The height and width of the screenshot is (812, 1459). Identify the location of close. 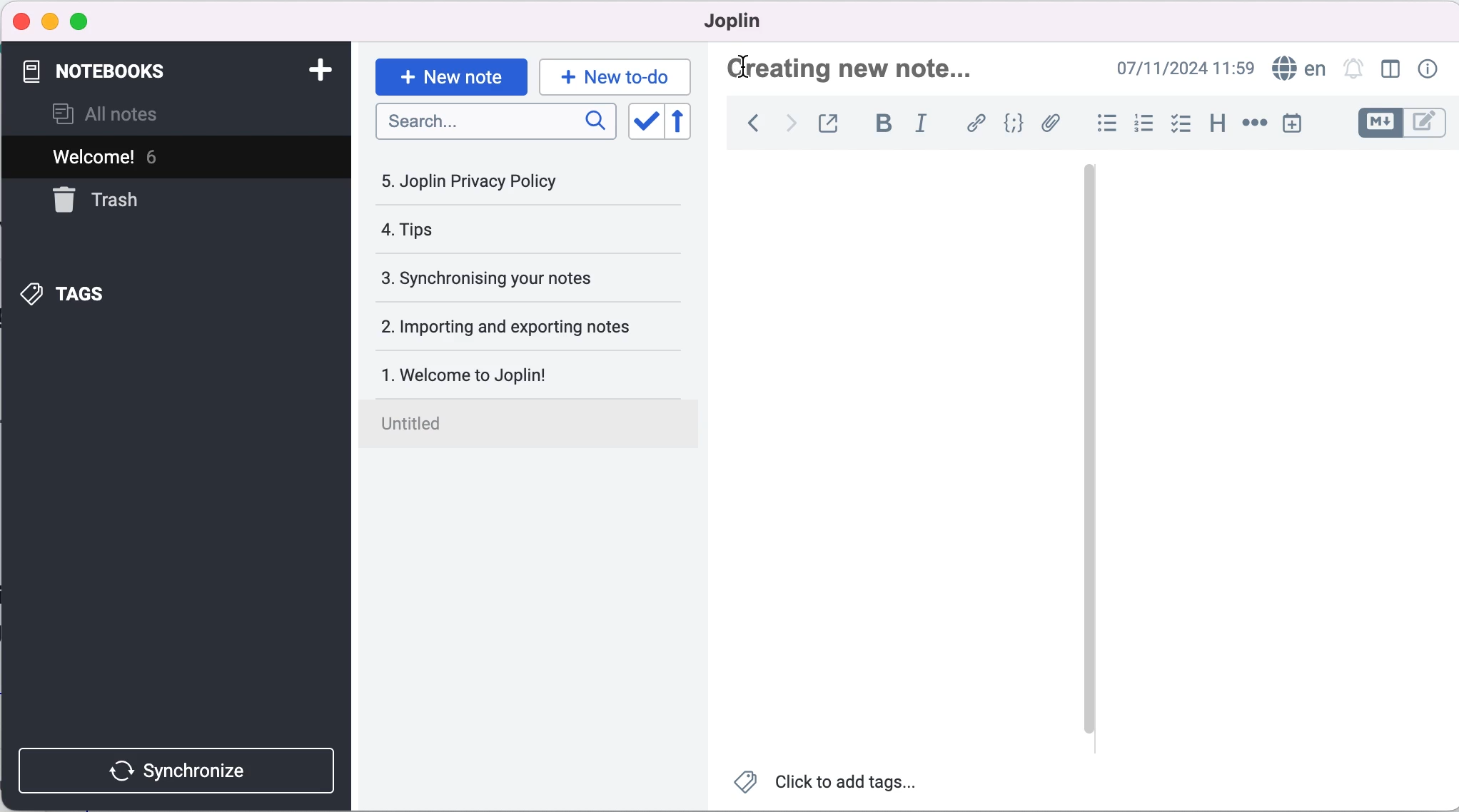
(22, 22).